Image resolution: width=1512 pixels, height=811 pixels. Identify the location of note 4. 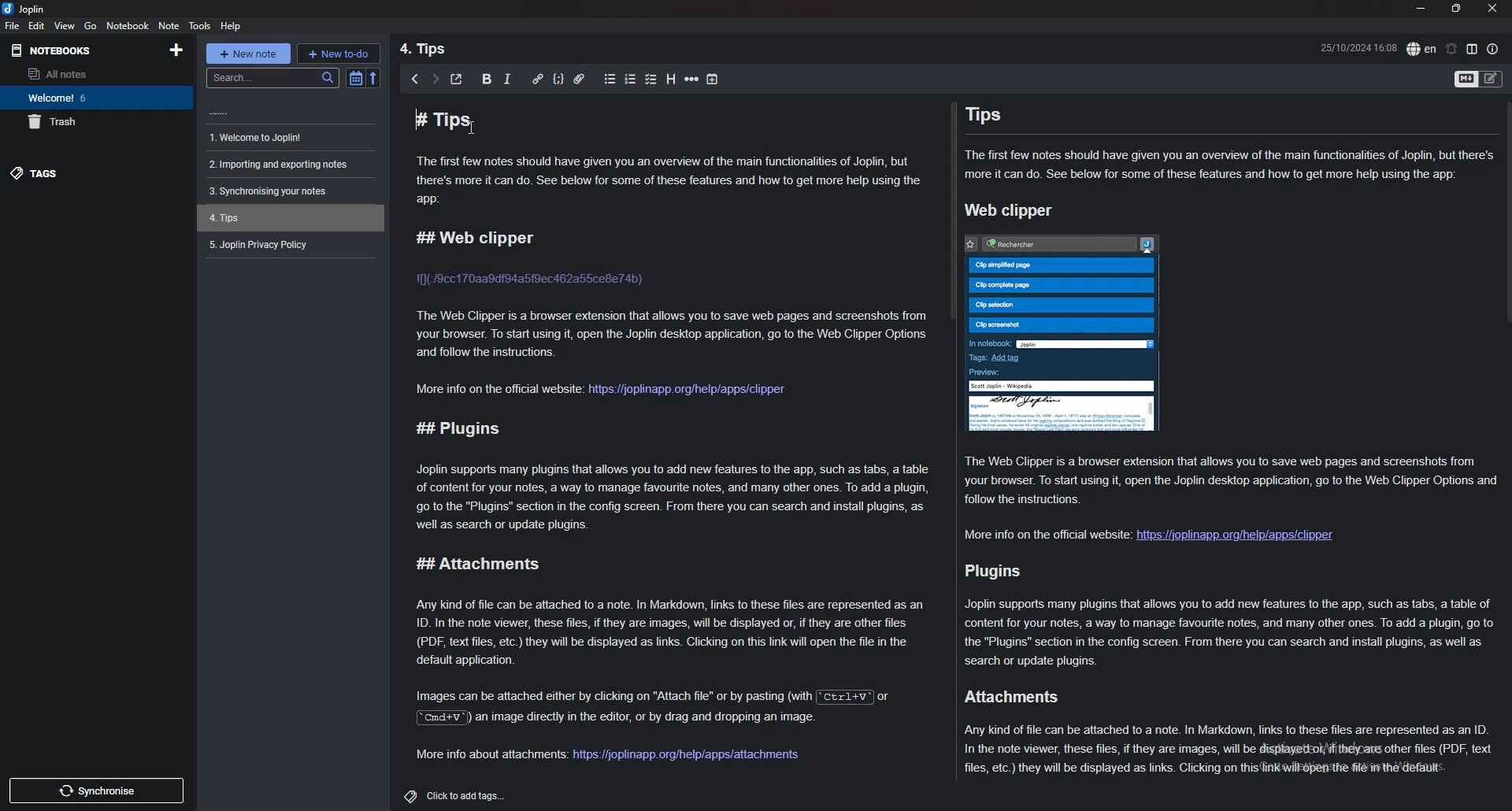
(288, 191).